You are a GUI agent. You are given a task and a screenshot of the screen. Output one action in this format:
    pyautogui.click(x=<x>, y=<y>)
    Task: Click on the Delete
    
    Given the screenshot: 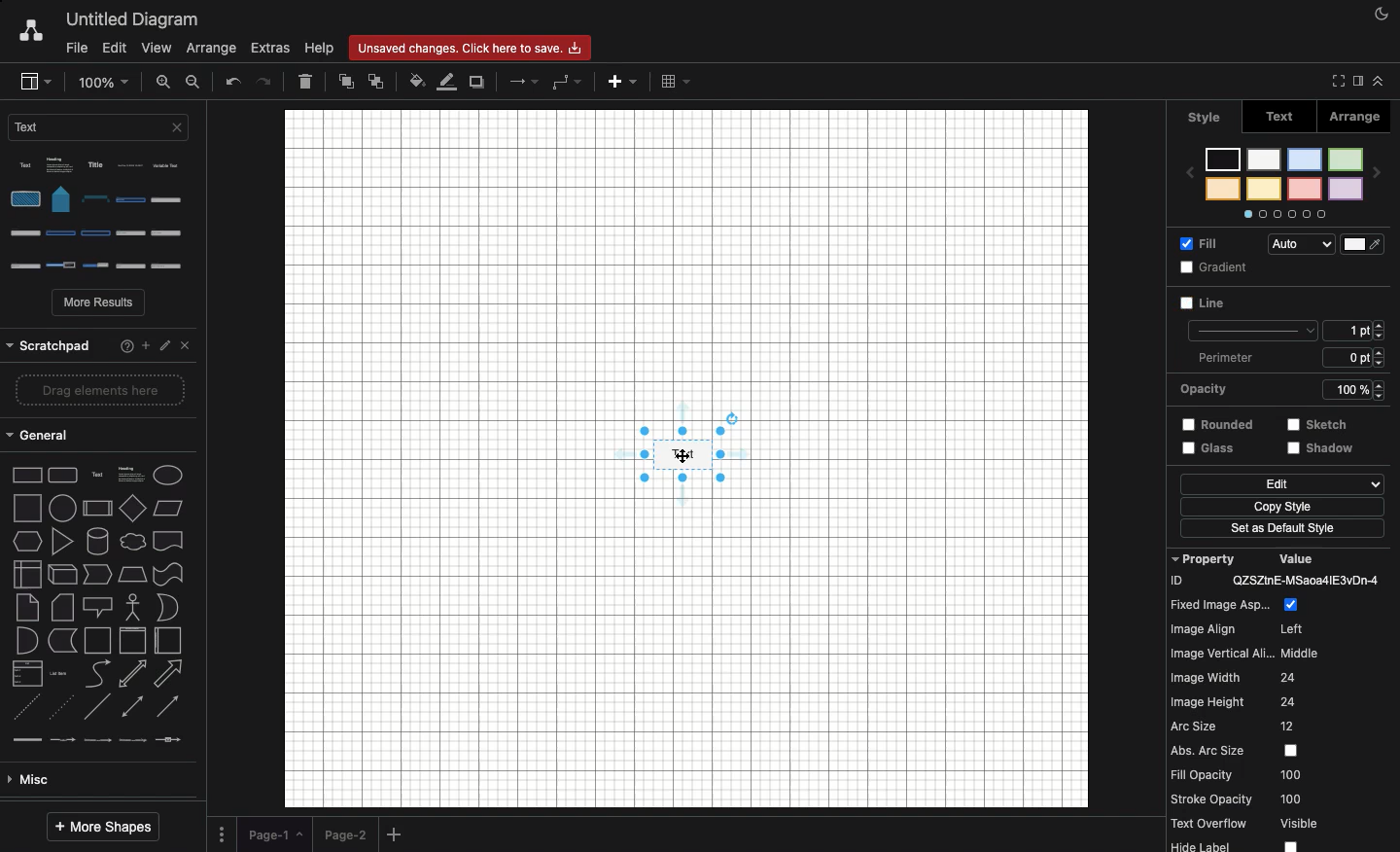 What is the action you would take?
    pyautogui.click(x=305, y=81)
    